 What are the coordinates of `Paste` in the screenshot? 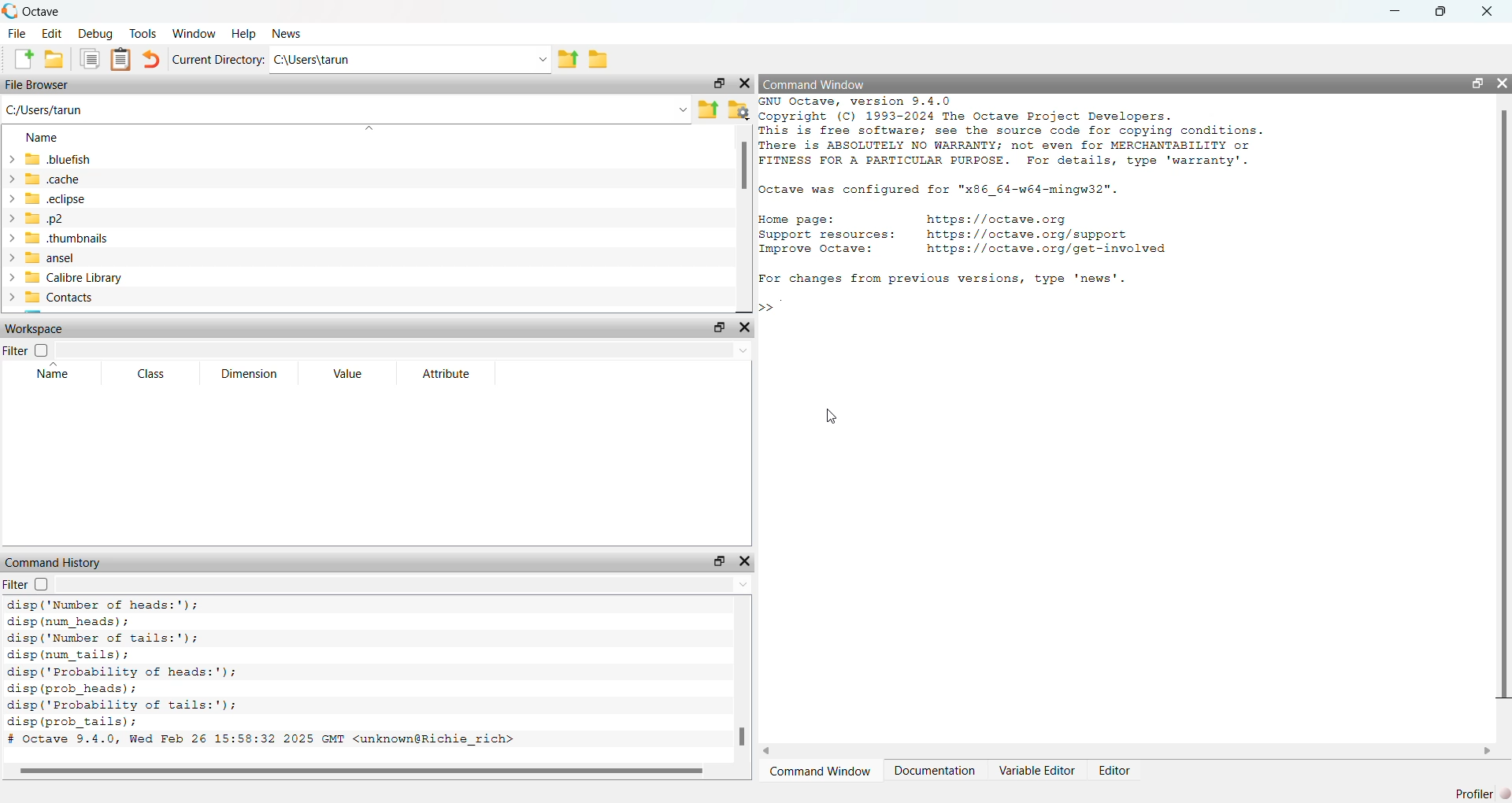 It's located at (120, 60).